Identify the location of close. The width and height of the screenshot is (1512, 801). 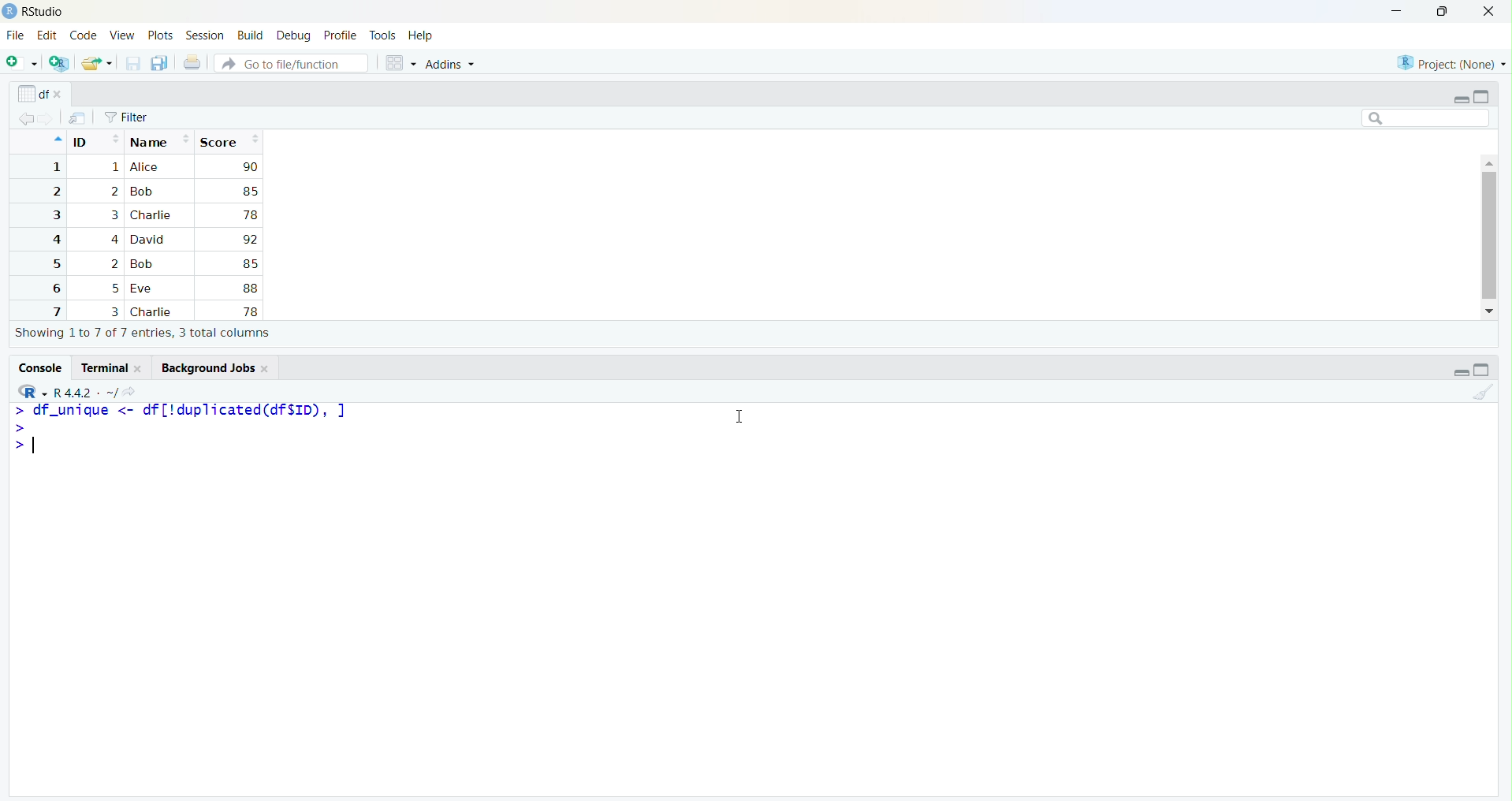
(266, 368).